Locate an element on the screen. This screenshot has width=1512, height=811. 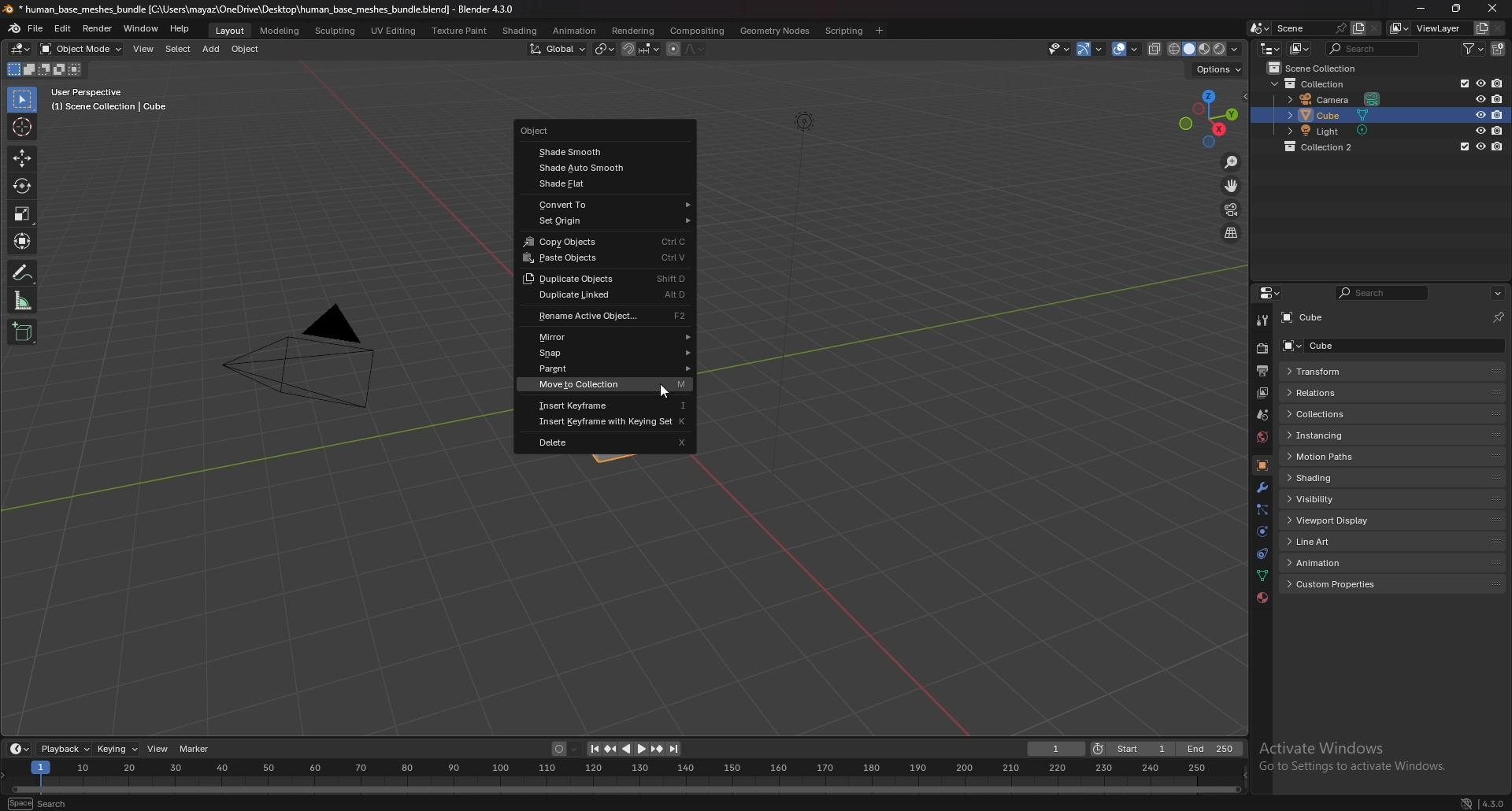
user perspective is located at coordinates (106, 100).